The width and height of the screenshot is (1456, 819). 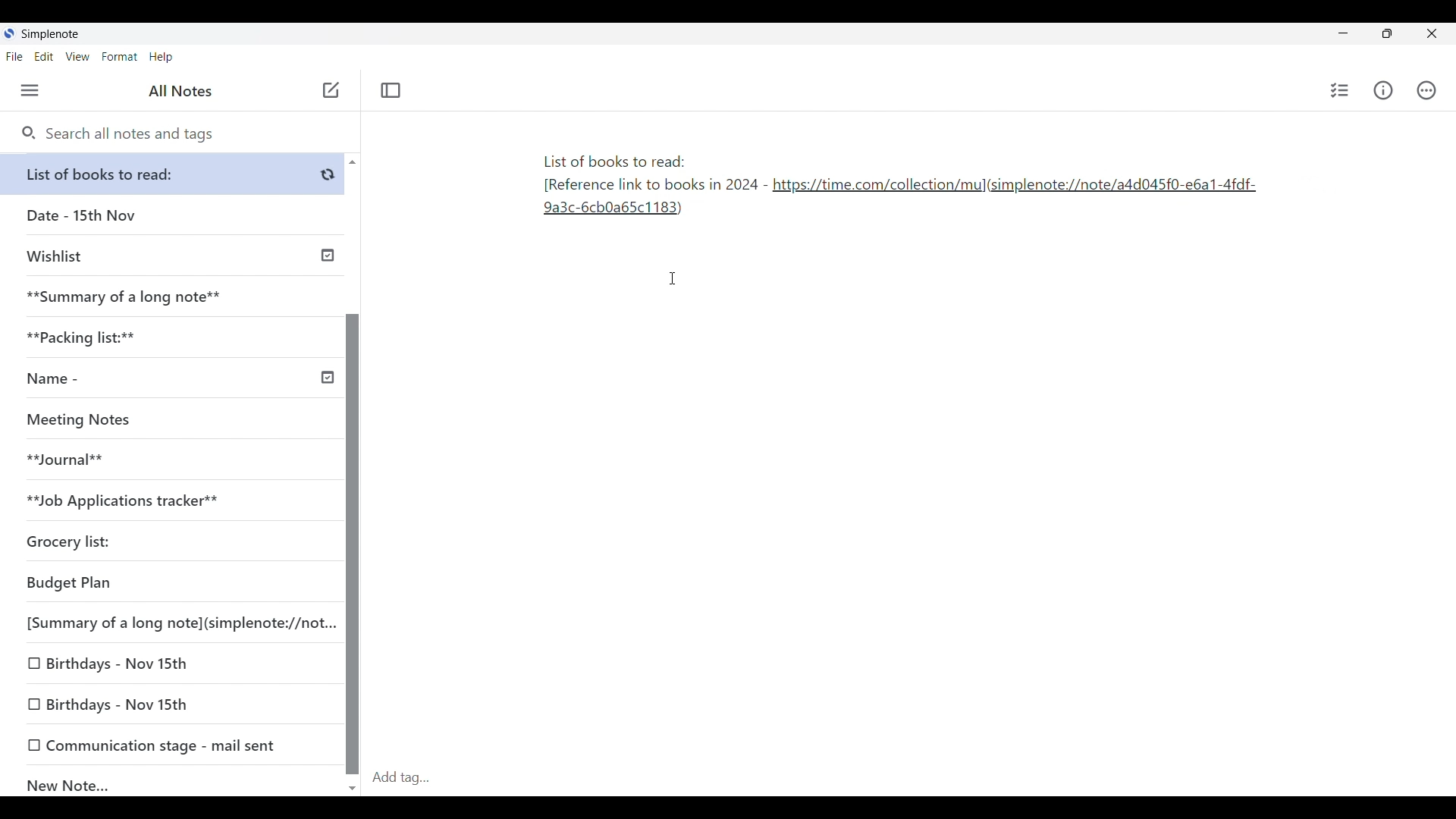 I want to click on Edit, so click(x=44, y=57).